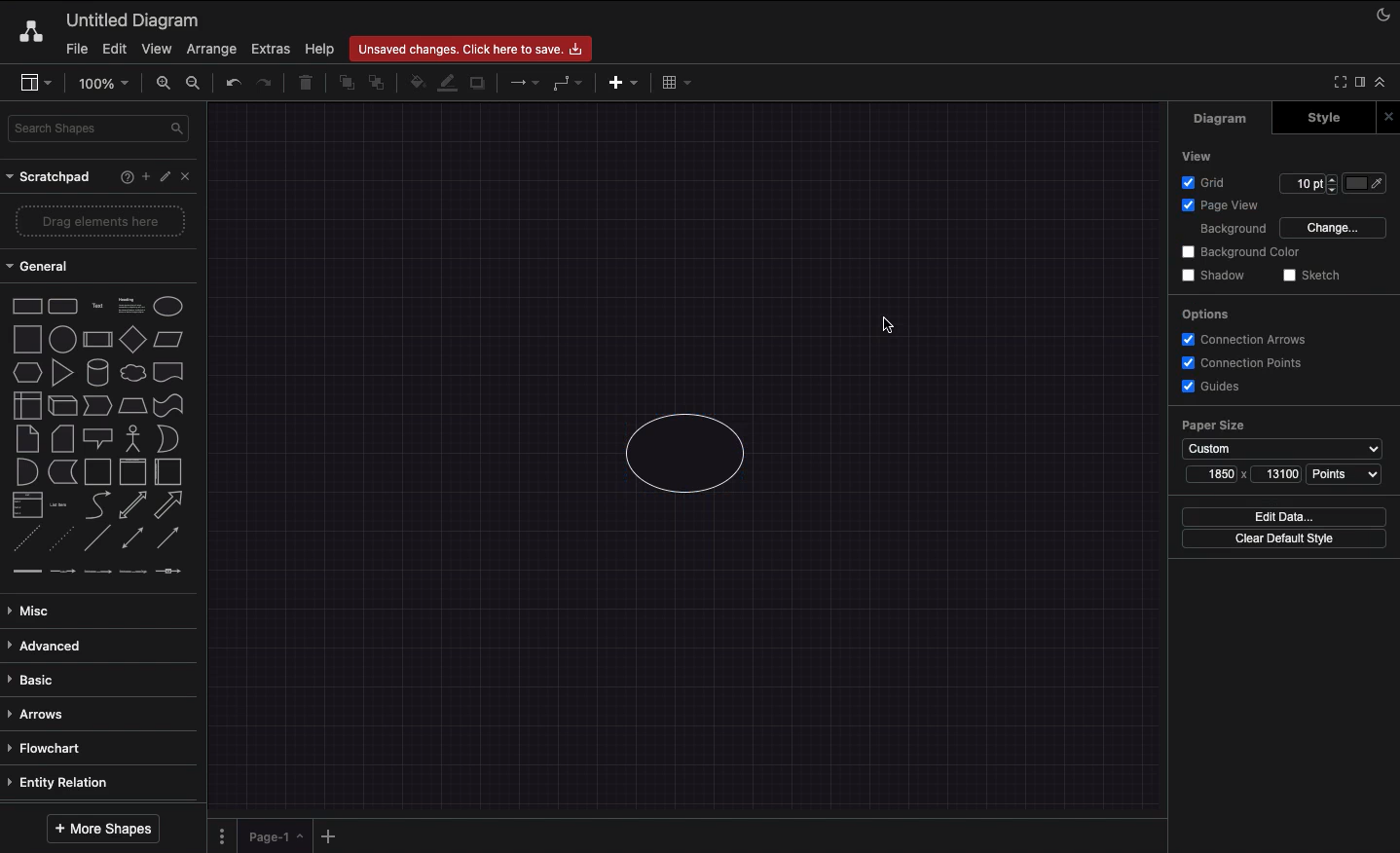  What do you see at coordinates (64, 505) in the screenshot?
I see `Item list` at bounding box center [64, 505].